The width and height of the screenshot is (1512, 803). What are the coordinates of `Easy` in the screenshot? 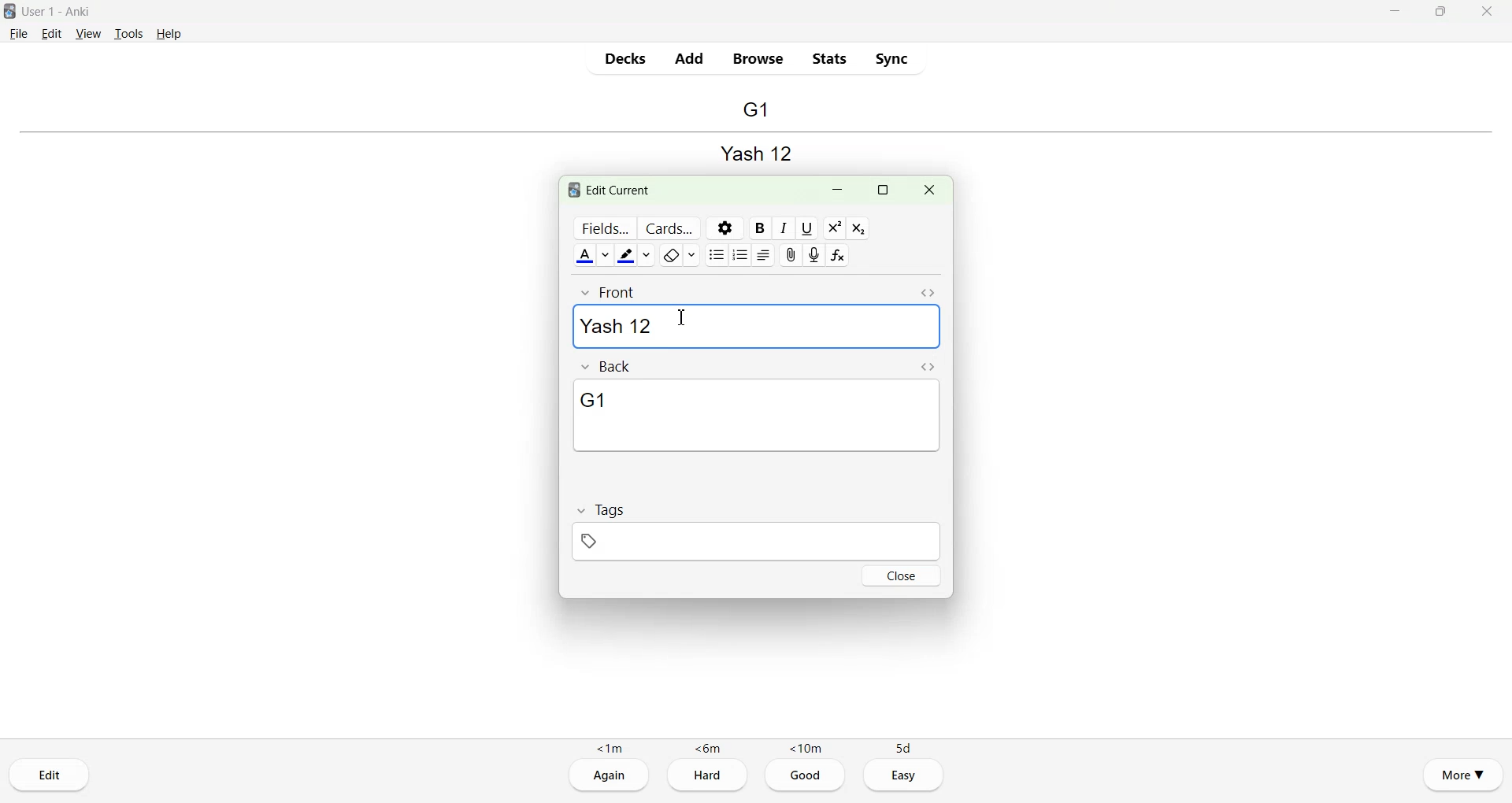 It's located at (905, 775).